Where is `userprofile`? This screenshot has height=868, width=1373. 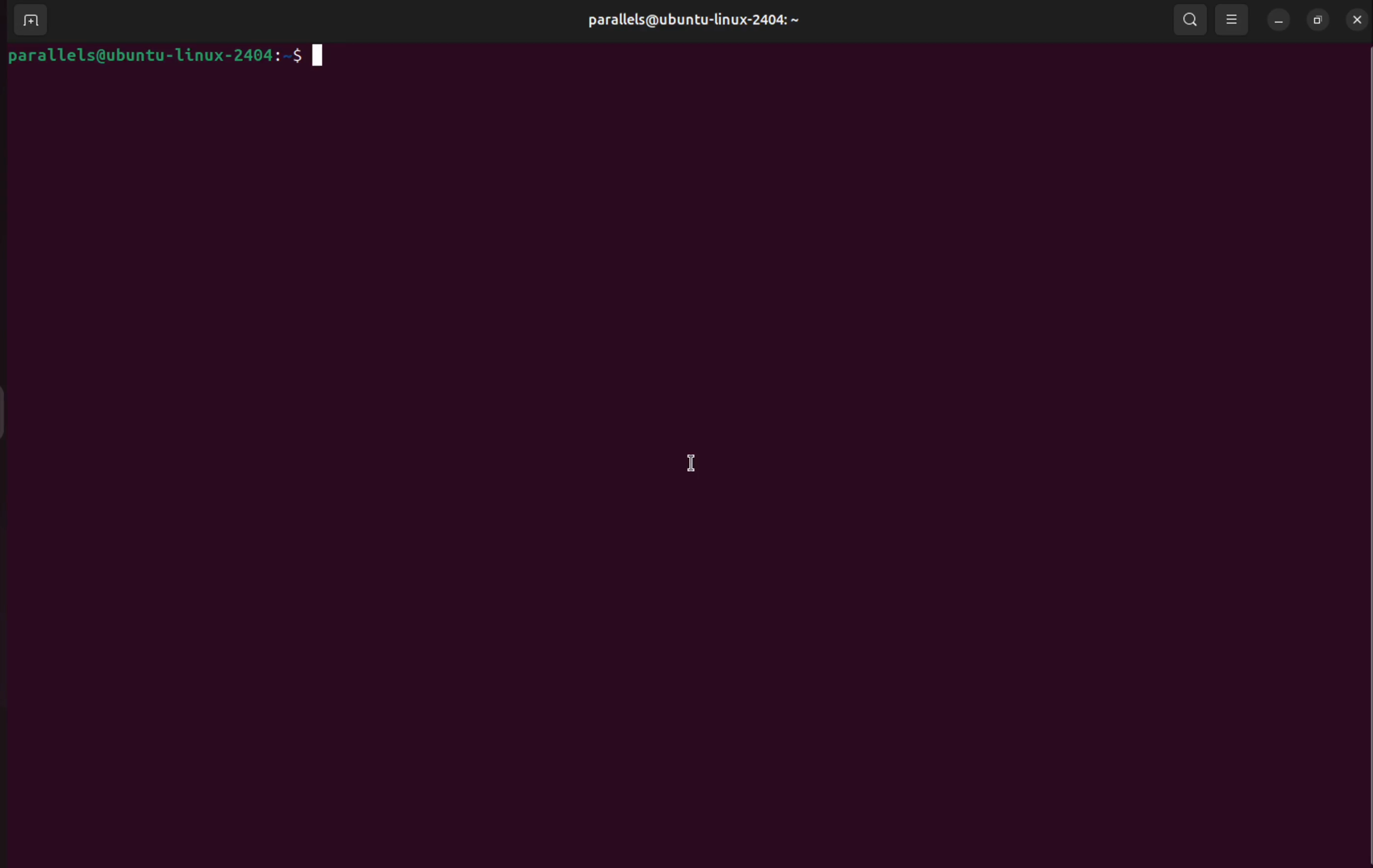 userprofile is located at coordinates (692, 22).